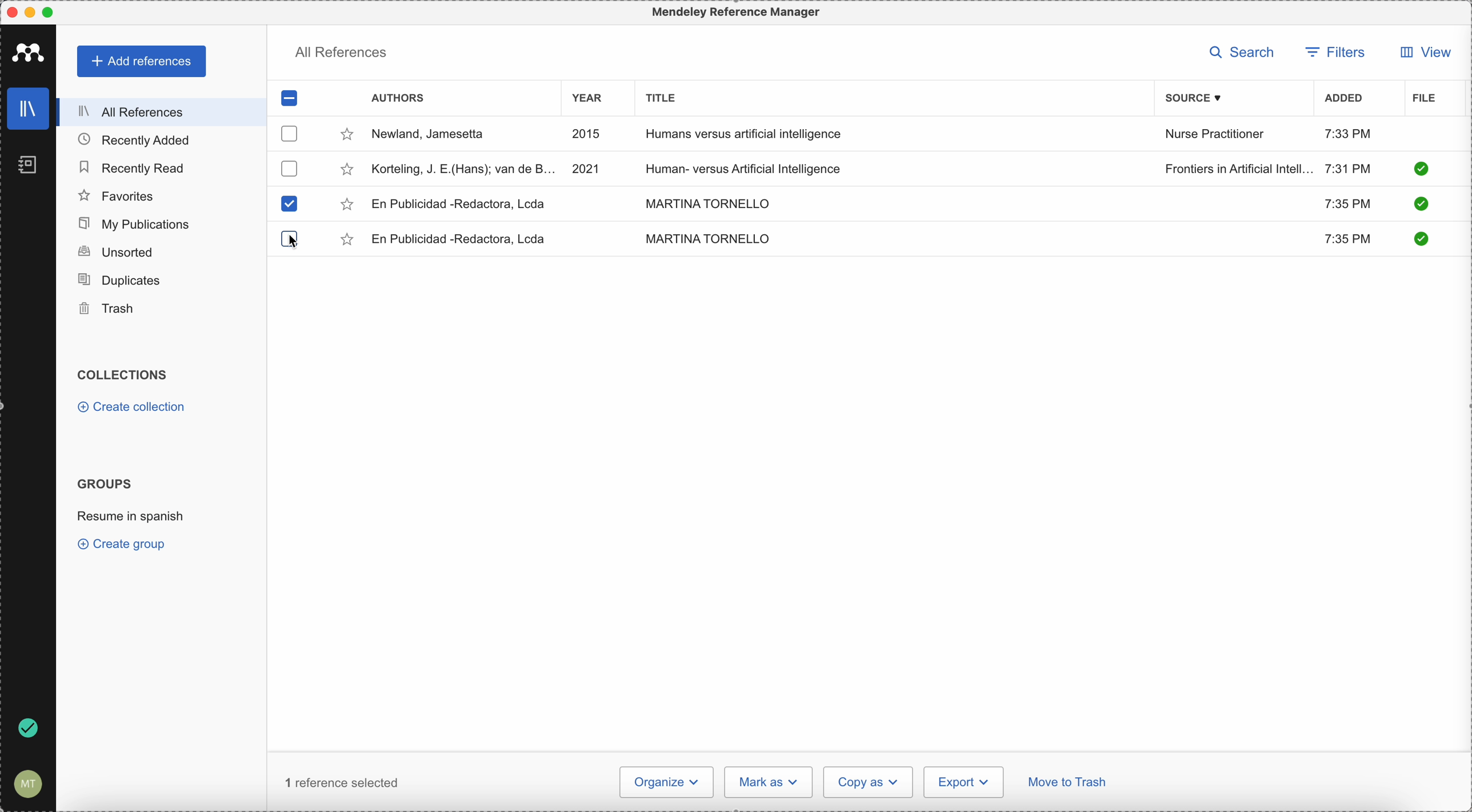 The height and width of the screenshot is (812, 1472). What do you see at coordinates (963, 782) in the screenshot?
I see `export` at bounding box center [963, 782].